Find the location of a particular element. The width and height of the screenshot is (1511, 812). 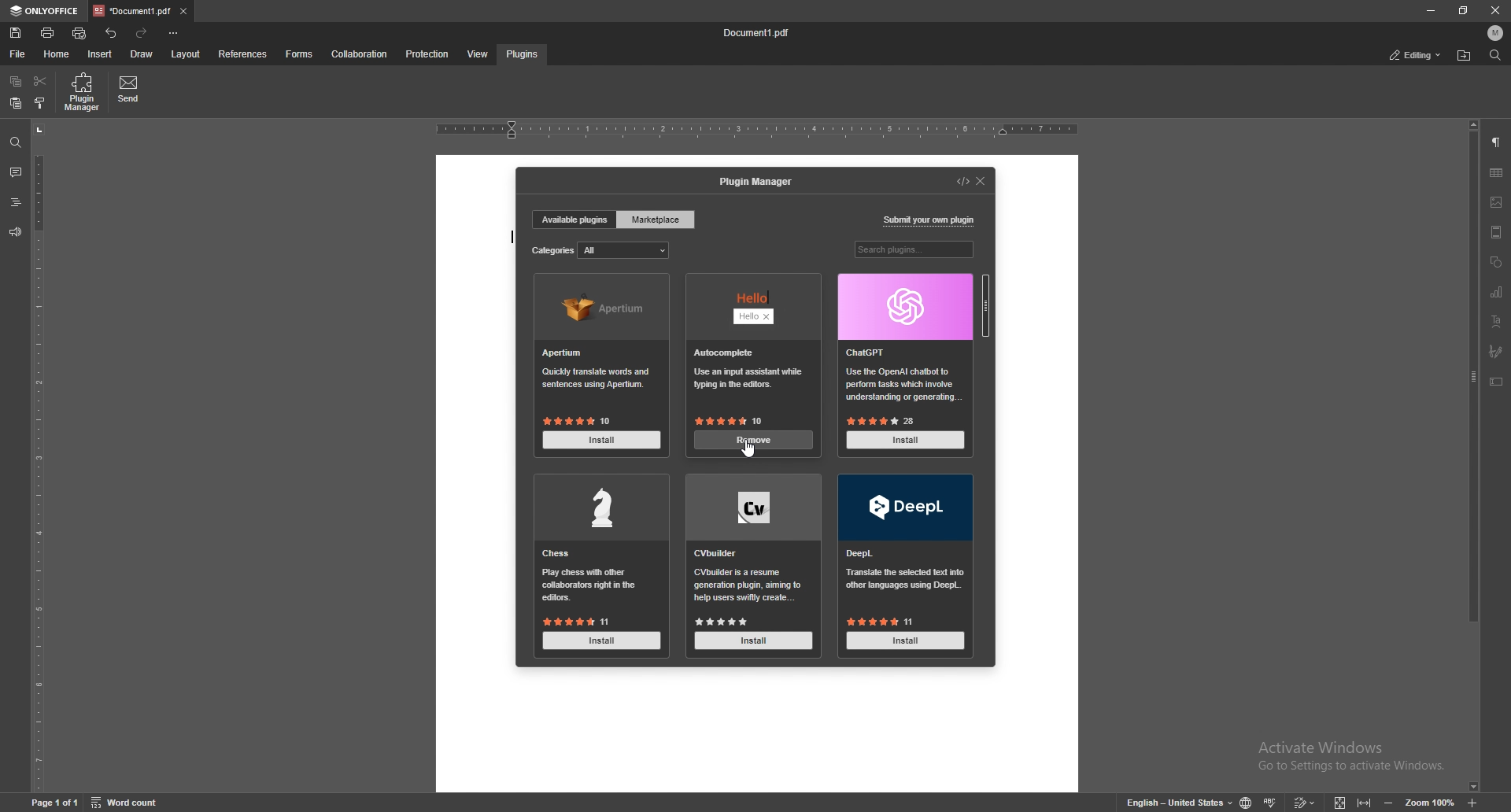

feedback is located at coordinates (16, 232).